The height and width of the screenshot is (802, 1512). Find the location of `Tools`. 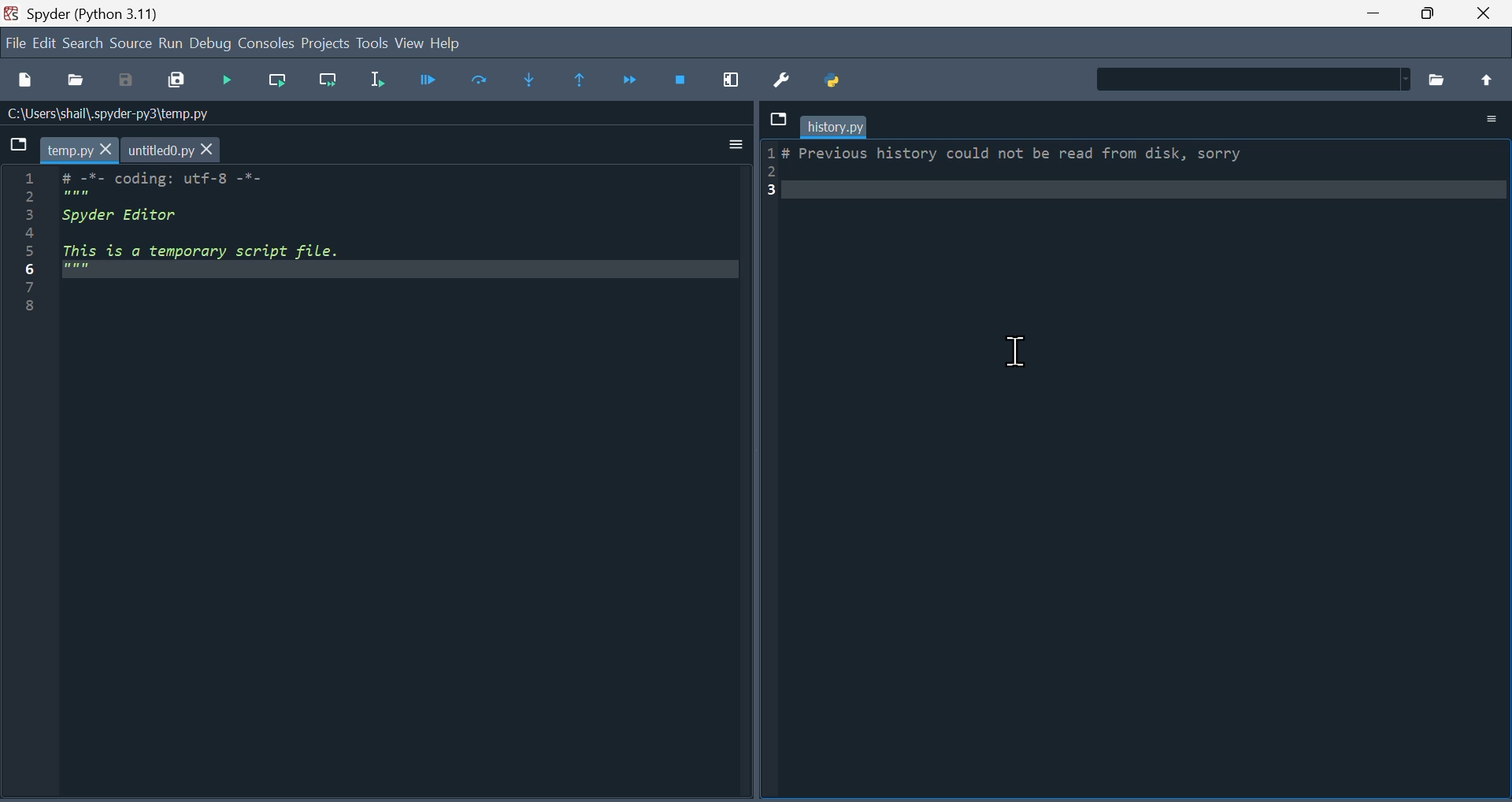

Tools is located at coordinates (372, 42).